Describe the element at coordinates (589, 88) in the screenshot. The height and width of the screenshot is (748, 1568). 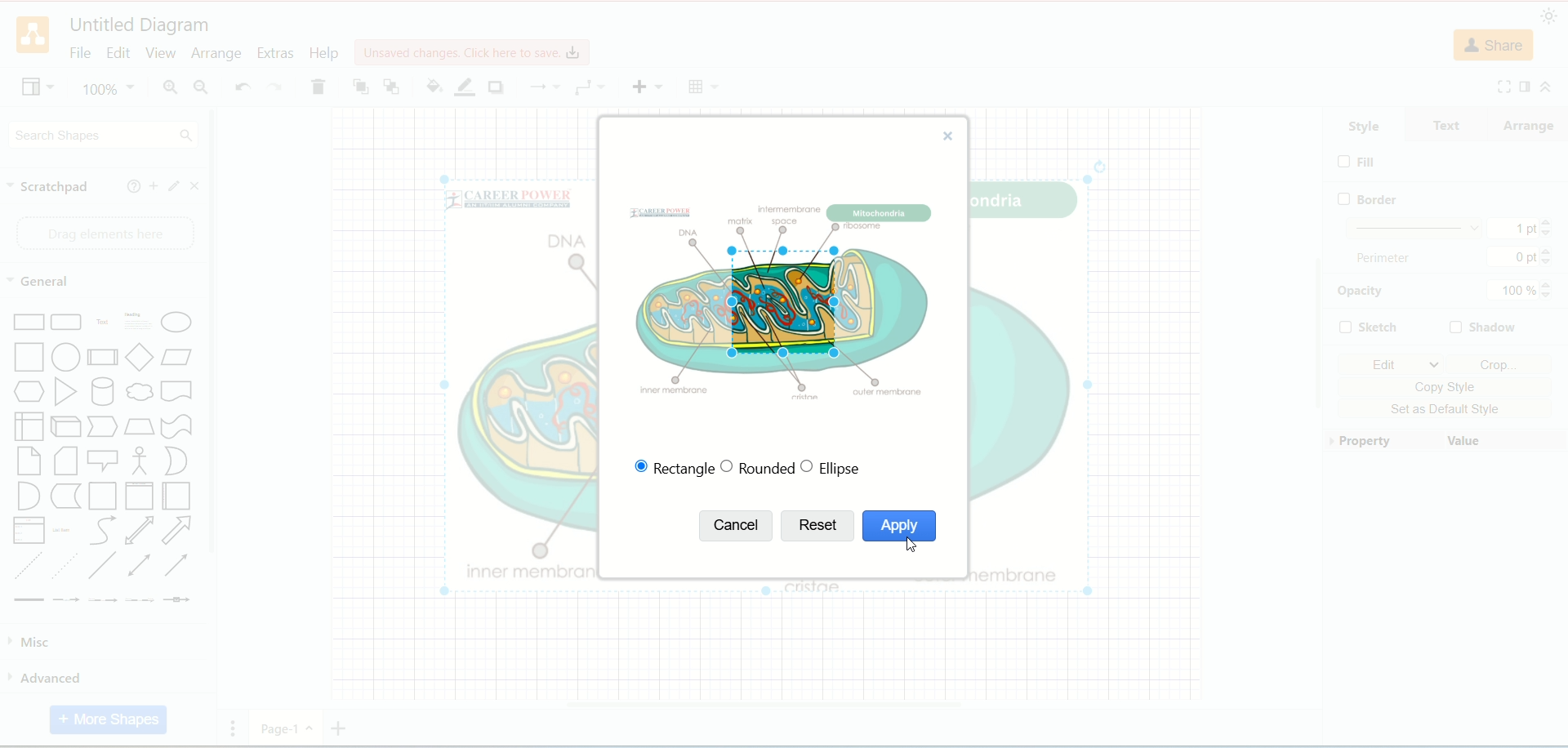
I see `waypoints` at that location.